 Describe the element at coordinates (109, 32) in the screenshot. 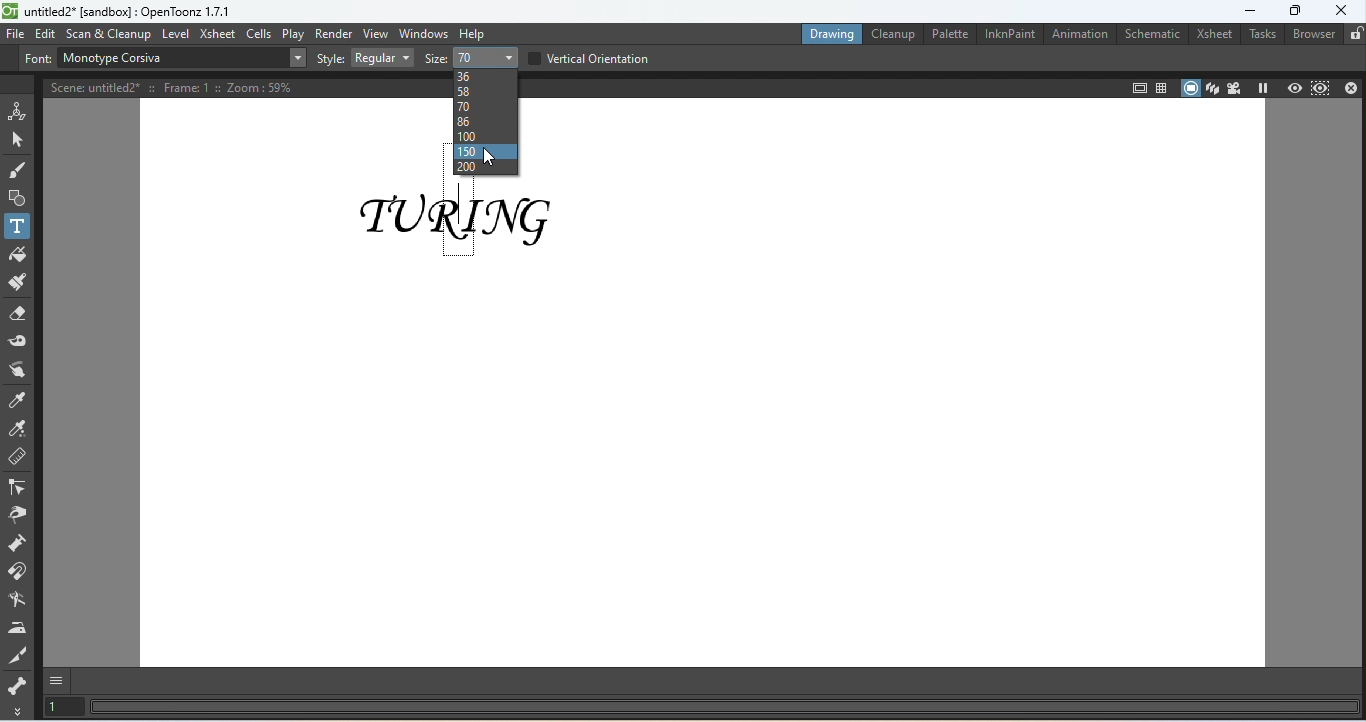

I see `Scan & Cleanup` at that location.